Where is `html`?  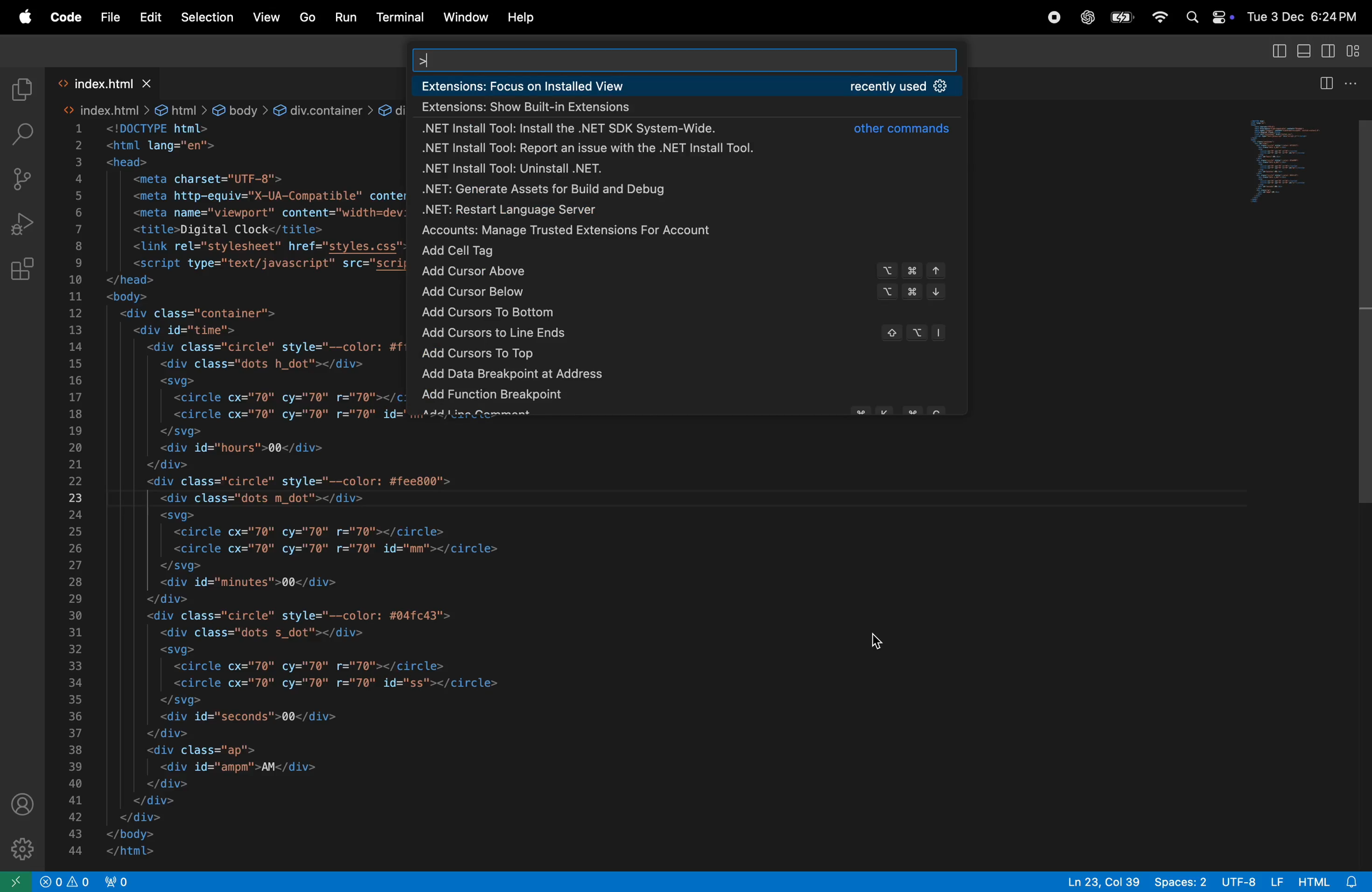 html is located at coordinates (181, 109).